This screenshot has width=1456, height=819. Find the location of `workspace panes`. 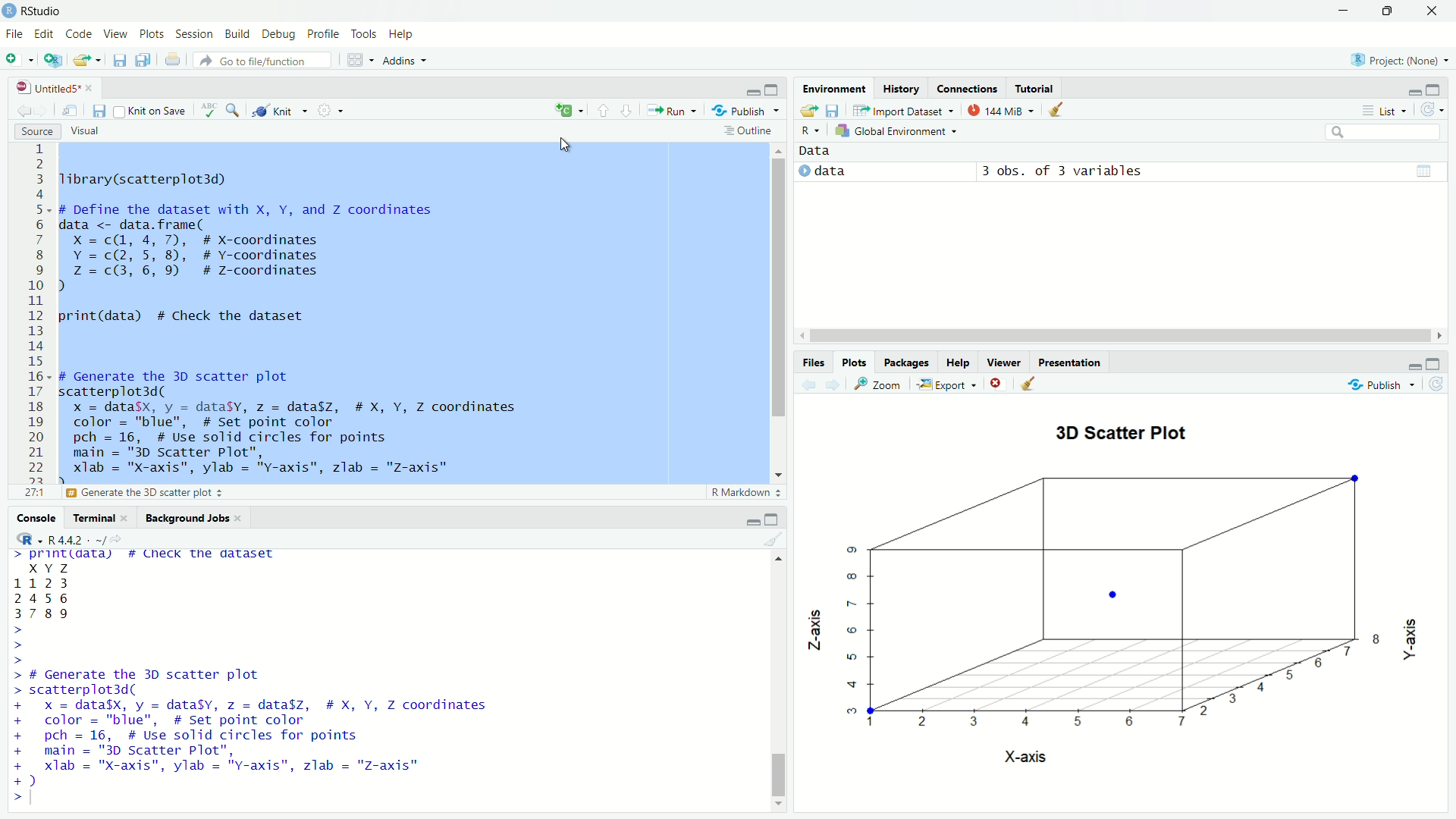

workspace panes is located at coordinates (359, 60).